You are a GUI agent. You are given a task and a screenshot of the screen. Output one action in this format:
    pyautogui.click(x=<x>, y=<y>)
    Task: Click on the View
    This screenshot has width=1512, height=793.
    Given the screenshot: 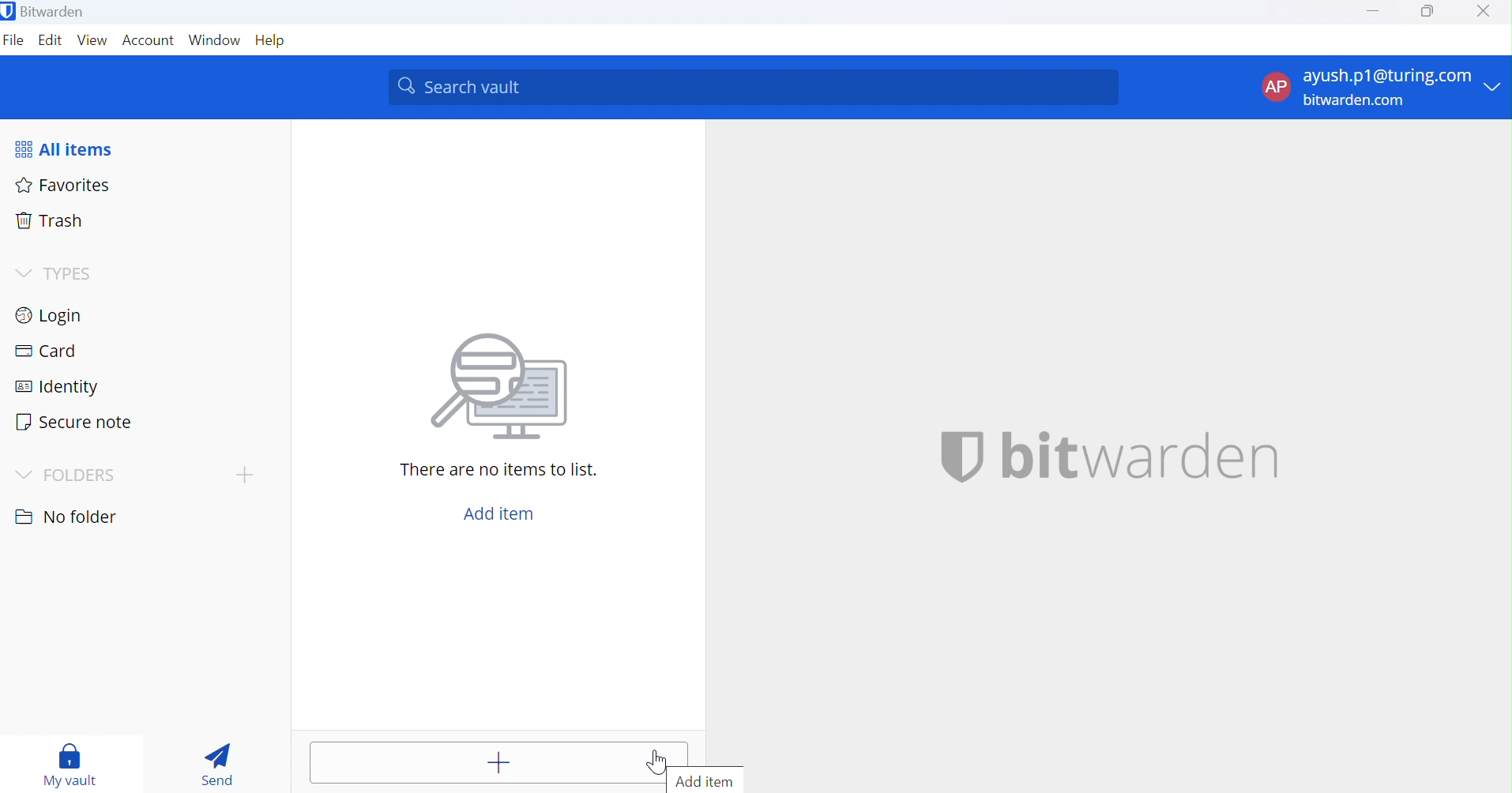 What is the action you would take?
    pyautogui.click(x=92, y=43)
    